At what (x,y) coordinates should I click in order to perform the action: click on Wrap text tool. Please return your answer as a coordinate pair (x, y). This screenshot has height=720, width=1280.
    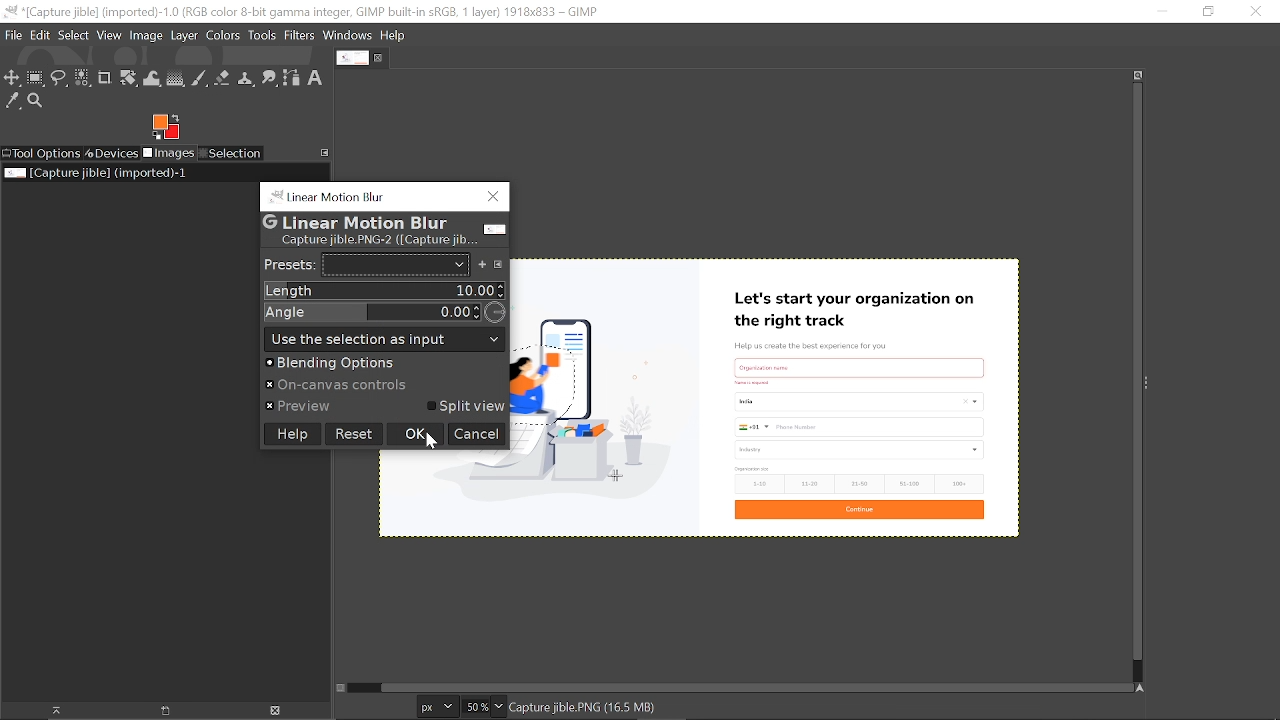
    Looking at the image, I should click on (153, 79).